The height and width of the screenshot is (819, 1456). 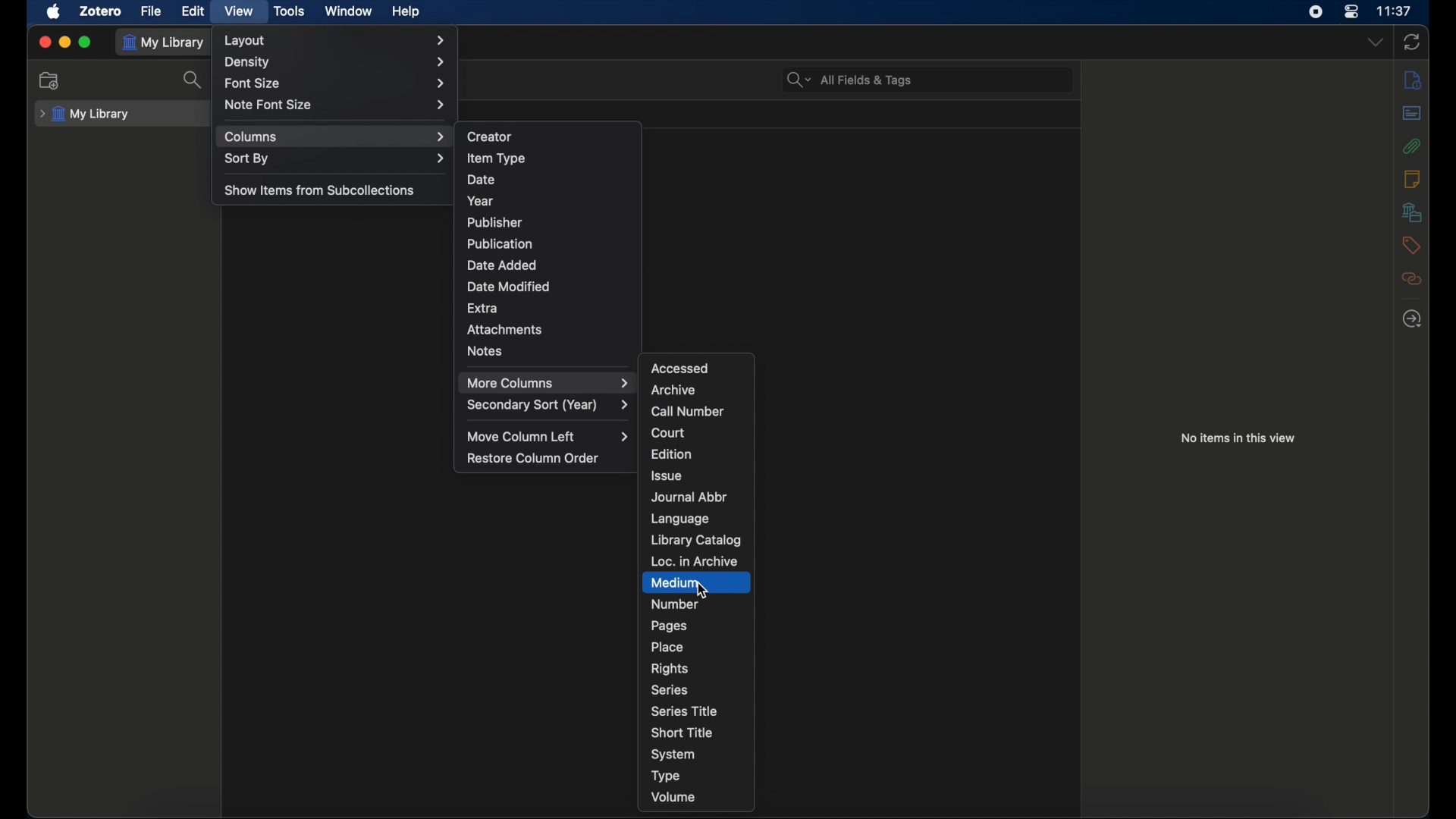 What do you see at coordinates (406, 12) in the screenshot?
I see `help` at bounding box center [406, 12].